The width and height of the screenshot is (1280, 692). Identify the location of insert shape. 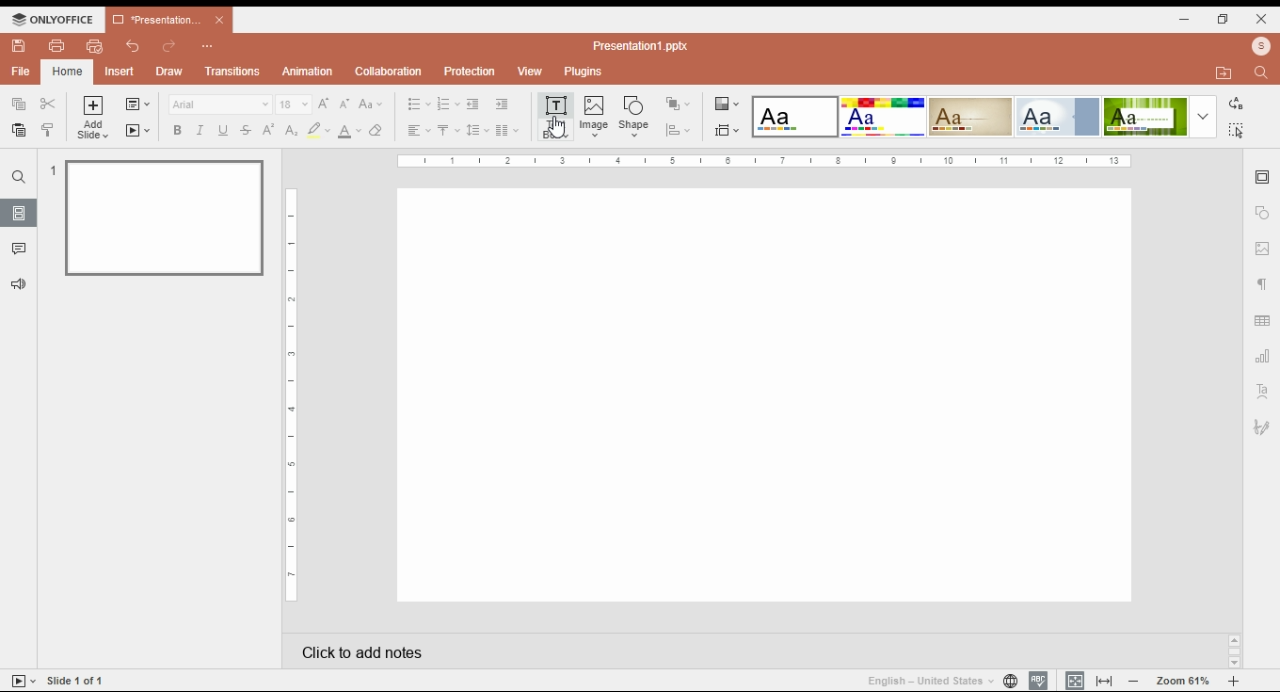
(633, 115).